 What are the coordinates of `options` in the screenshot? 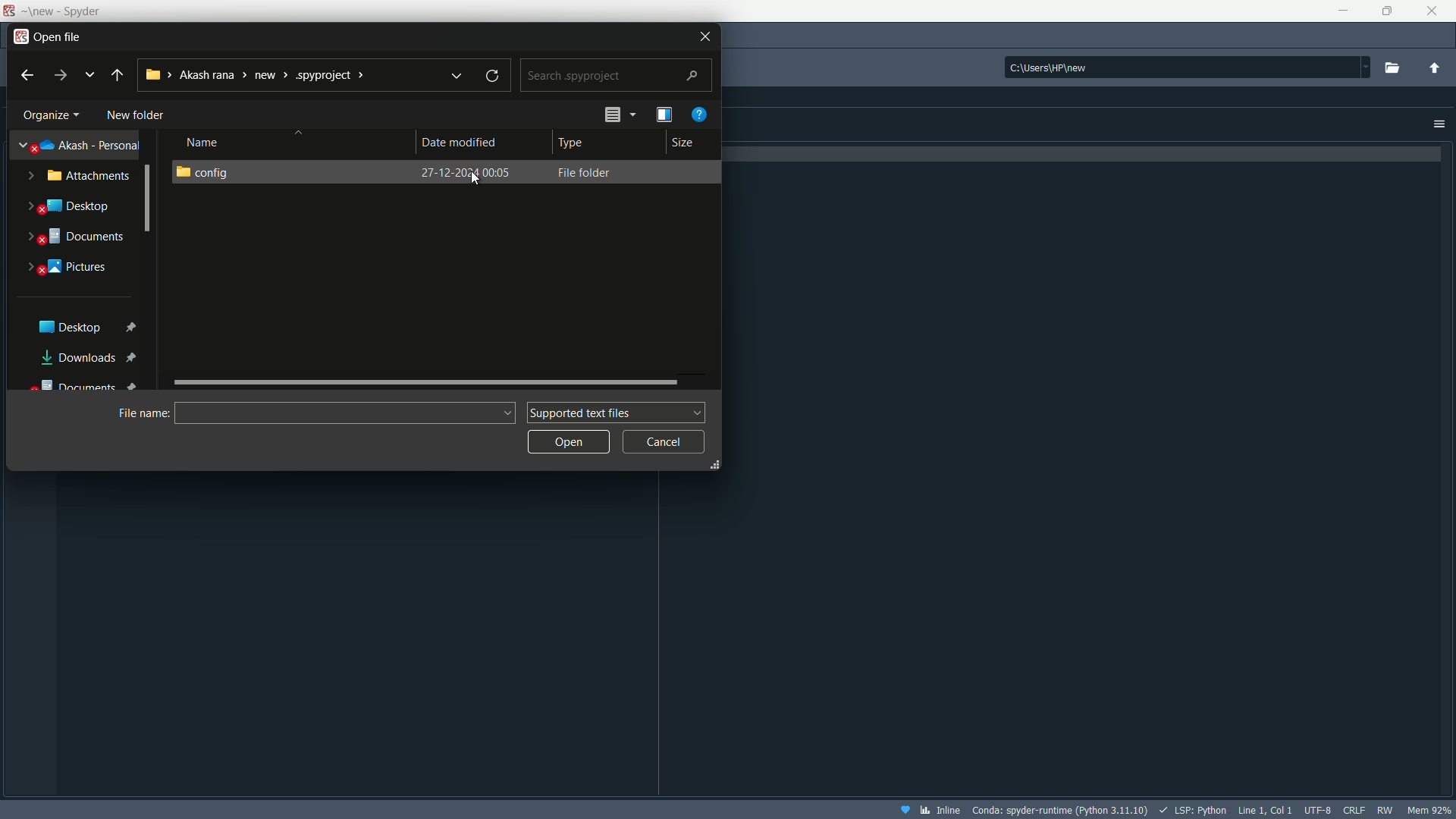 It's located at (1434, 123).